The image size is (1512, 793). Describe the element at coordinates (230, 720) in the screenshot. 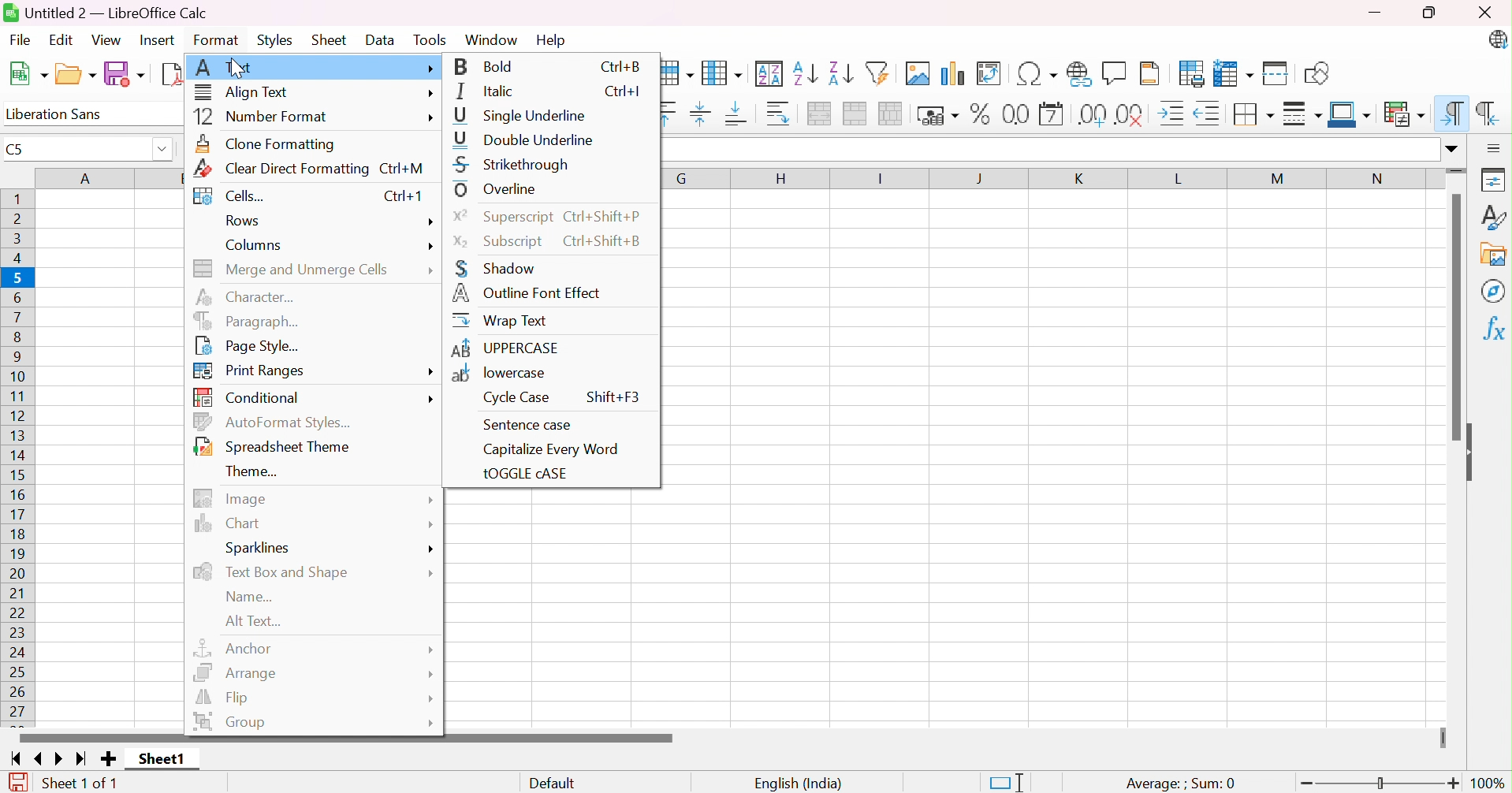

I see `Group` at that location.